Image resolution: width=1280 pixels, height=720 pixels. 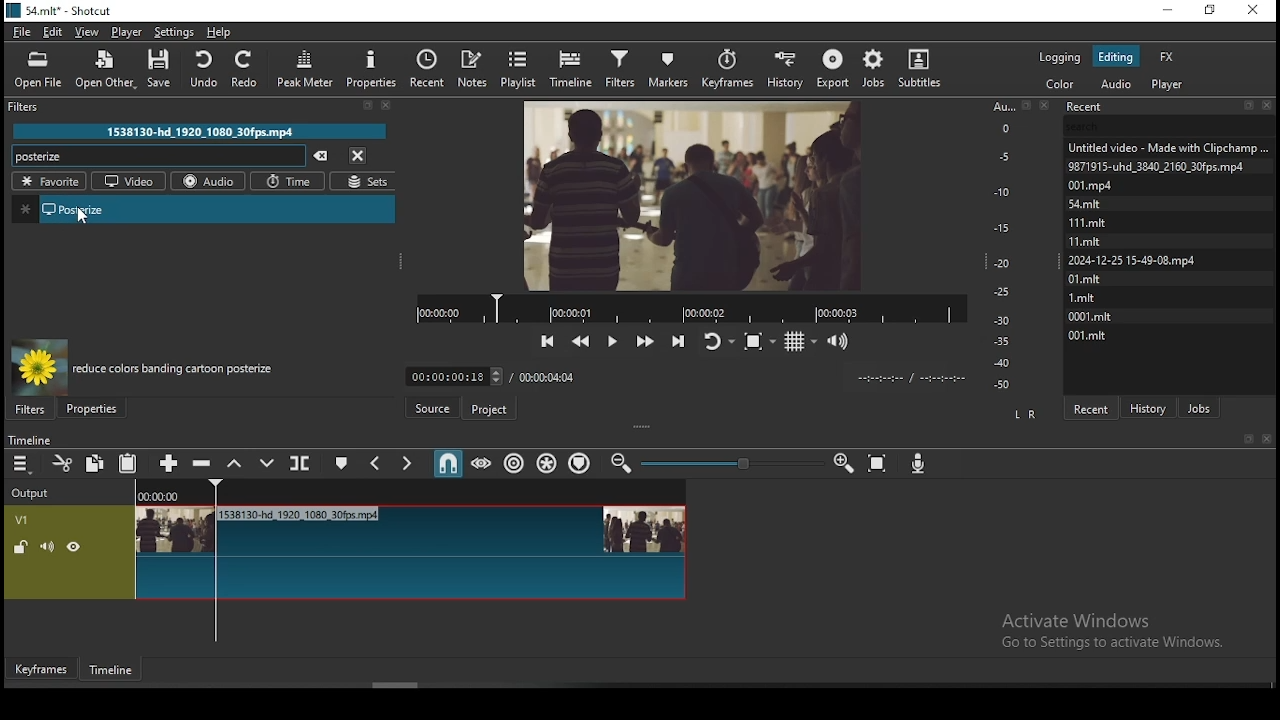 What do you see at coordinates (37, 490) in the screenshot?
I see `output` at bounding box center [37, 490].